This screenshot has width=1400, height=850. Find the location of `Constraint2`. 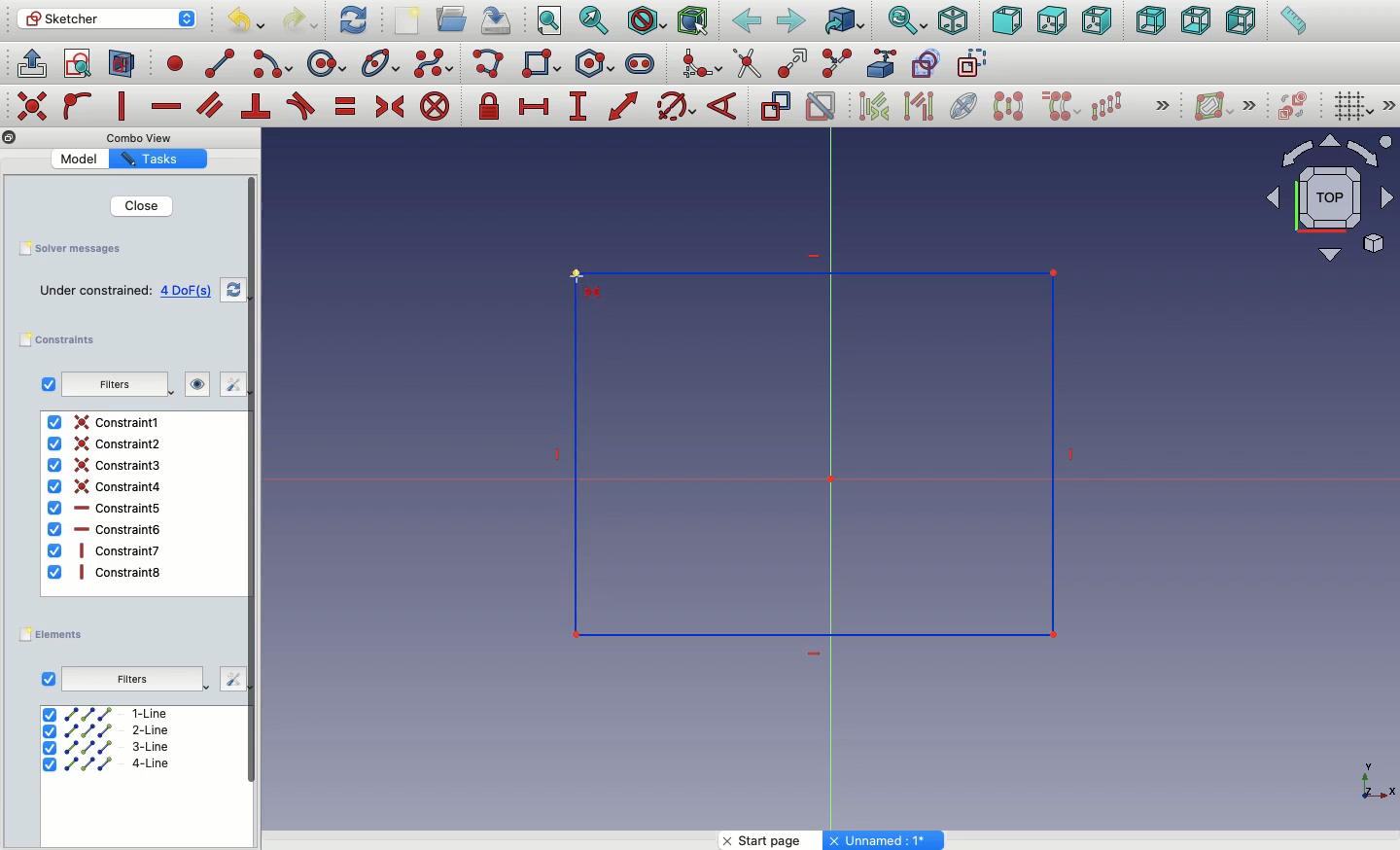

Constraint2 is located at coordinates (103, 443).